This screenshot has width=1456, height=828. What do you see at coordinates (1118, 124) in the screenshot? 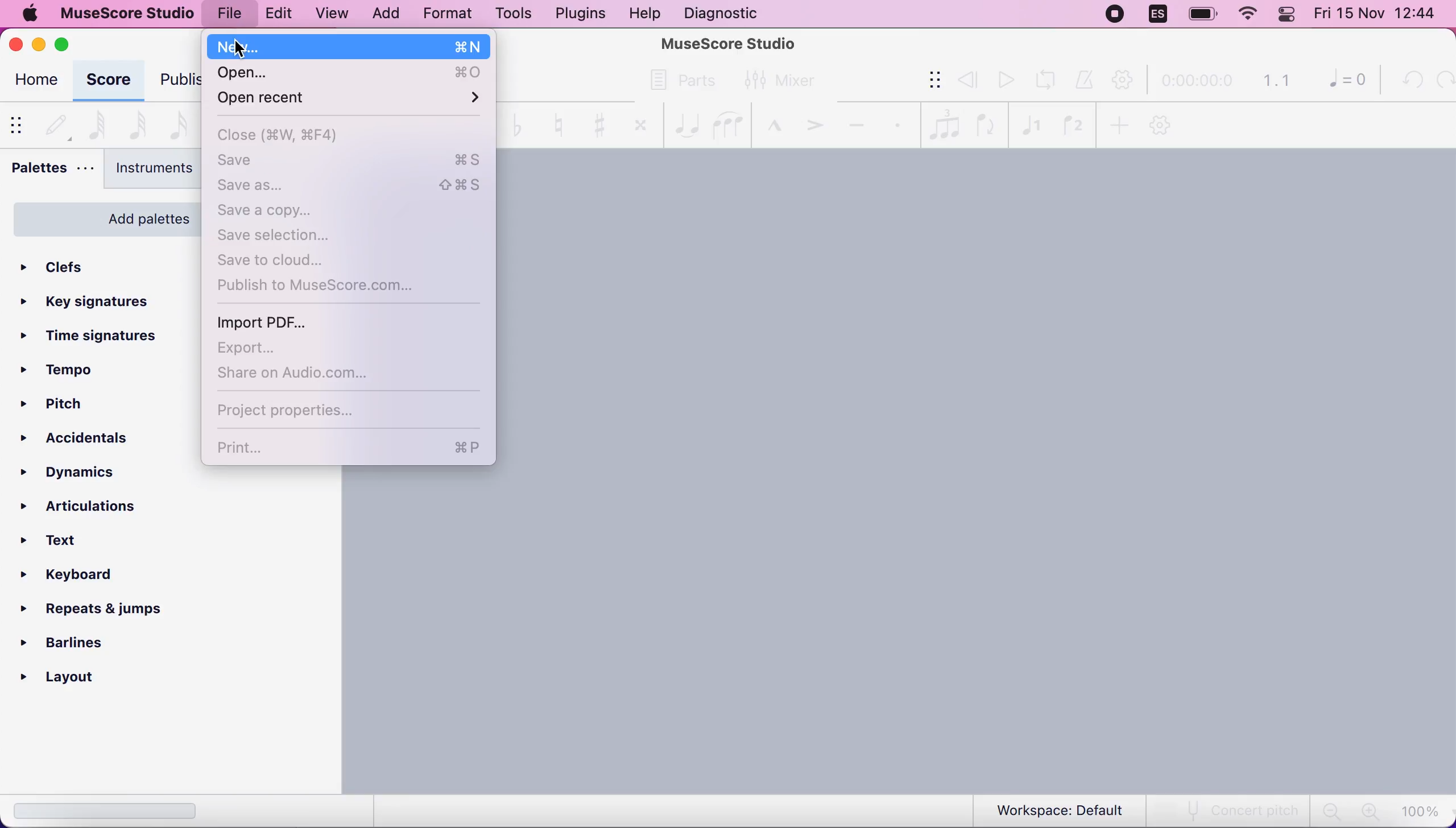
I see `add` at bounding box center [1118, 124].